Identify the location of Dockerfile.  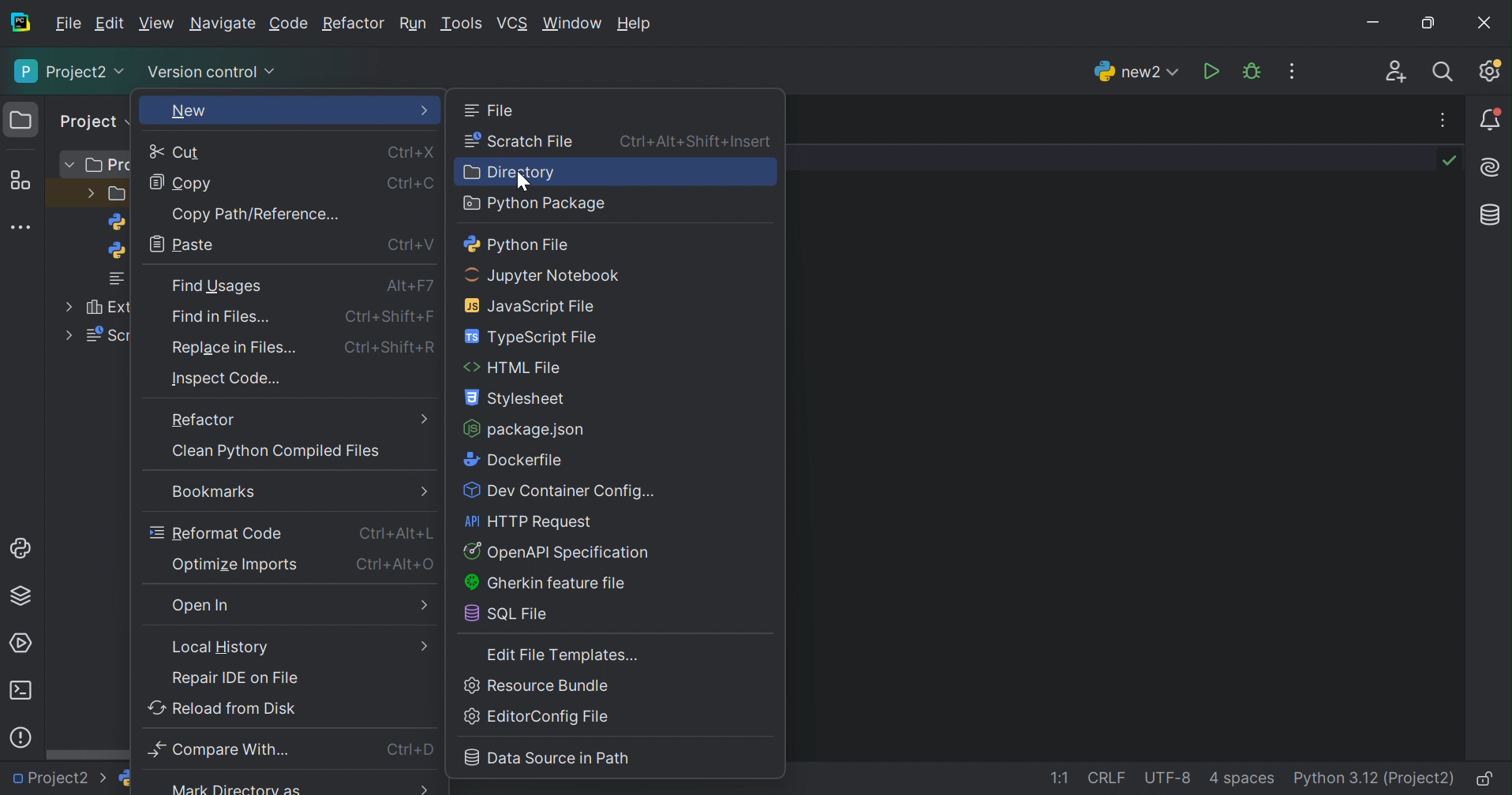
(515, 461).